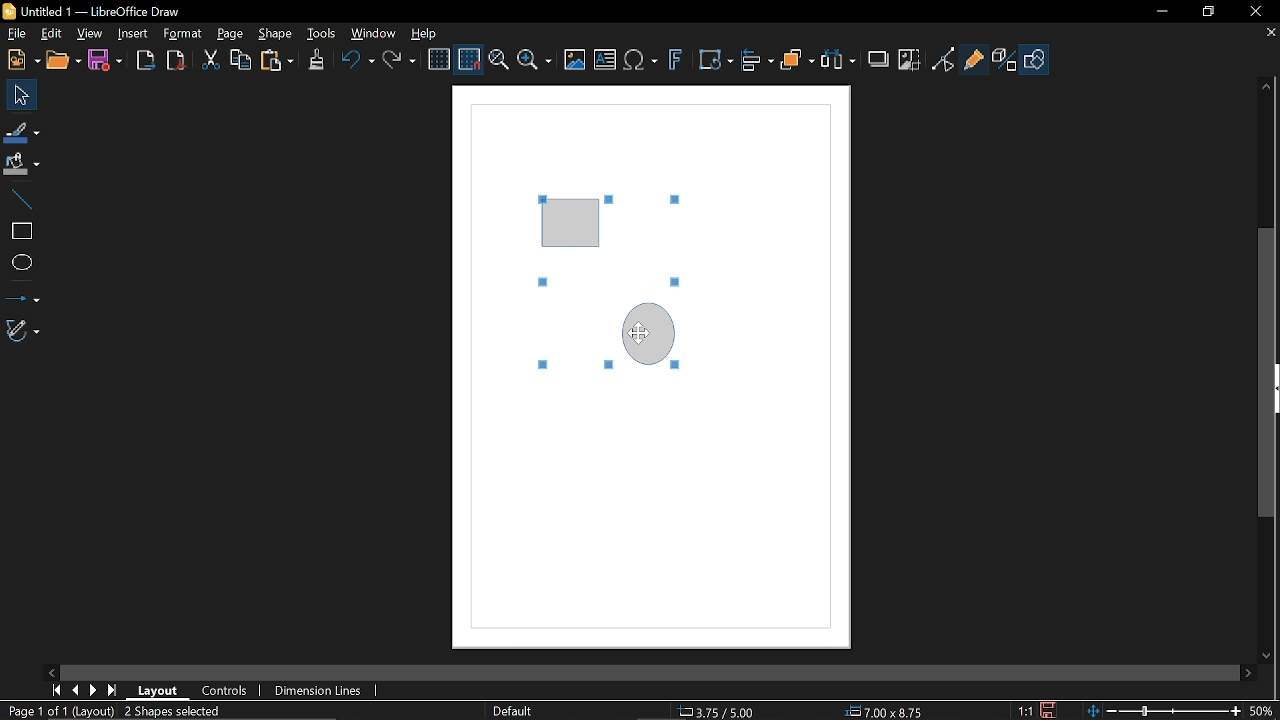  I want to click on Display grid, so click(439, 59).